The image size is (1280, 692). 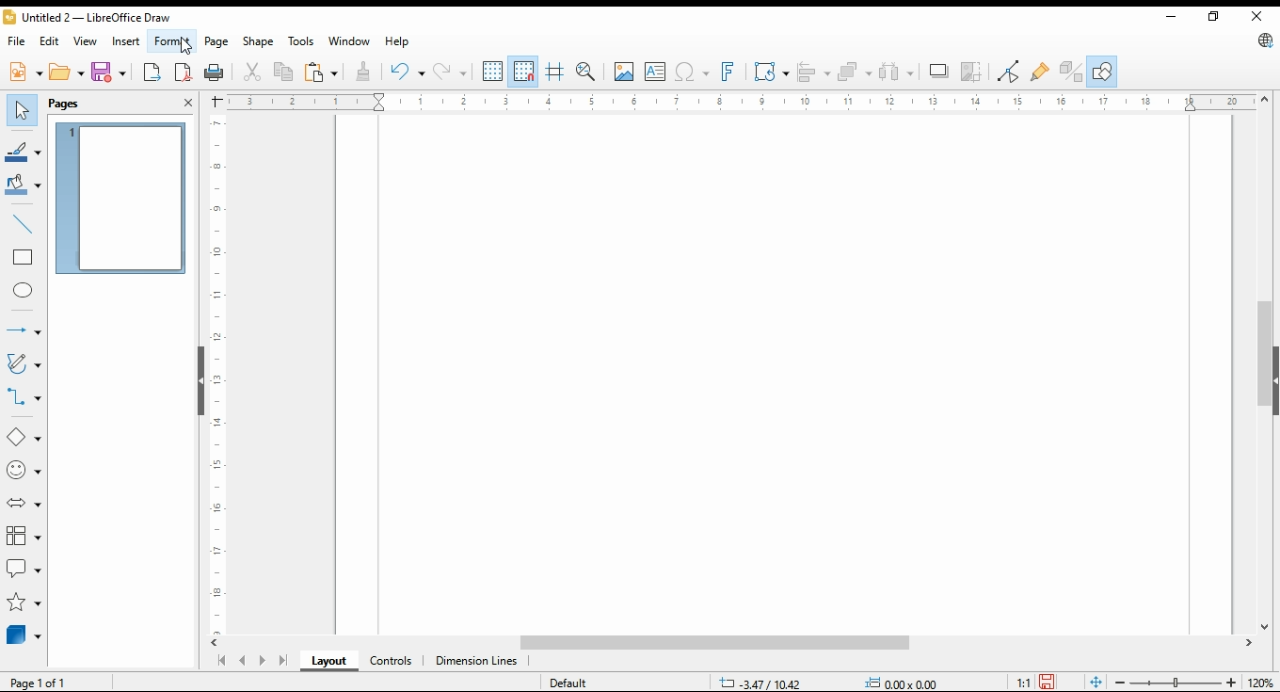 What do you see at coordinates (25, 536) in the screenshot?
I see `flowchart` at bounding box center [25, 536].